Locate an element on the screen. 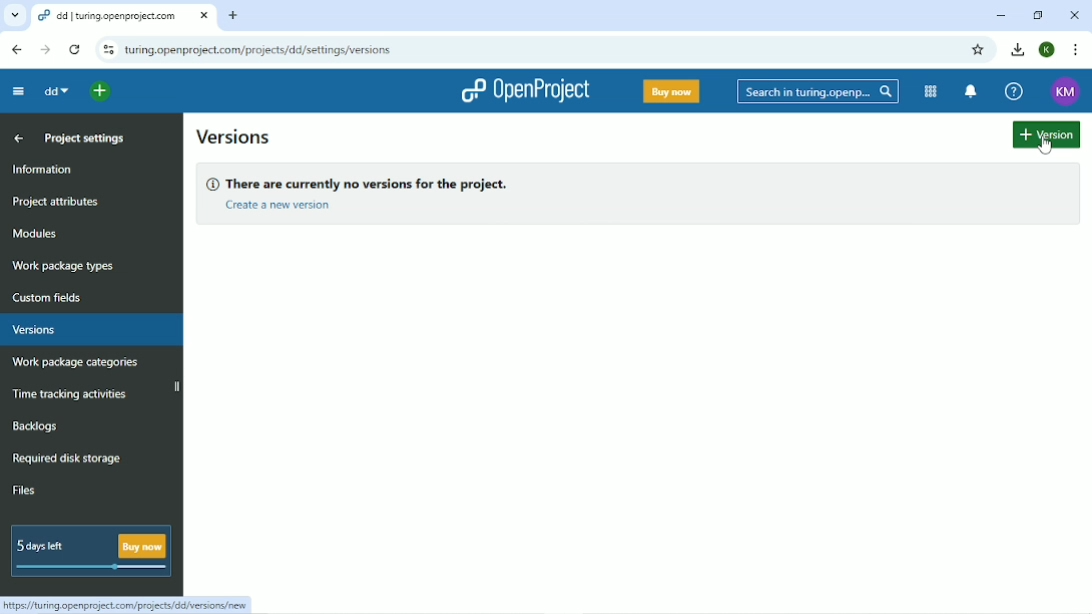  Minimize is located at coordinates (1001, 16).